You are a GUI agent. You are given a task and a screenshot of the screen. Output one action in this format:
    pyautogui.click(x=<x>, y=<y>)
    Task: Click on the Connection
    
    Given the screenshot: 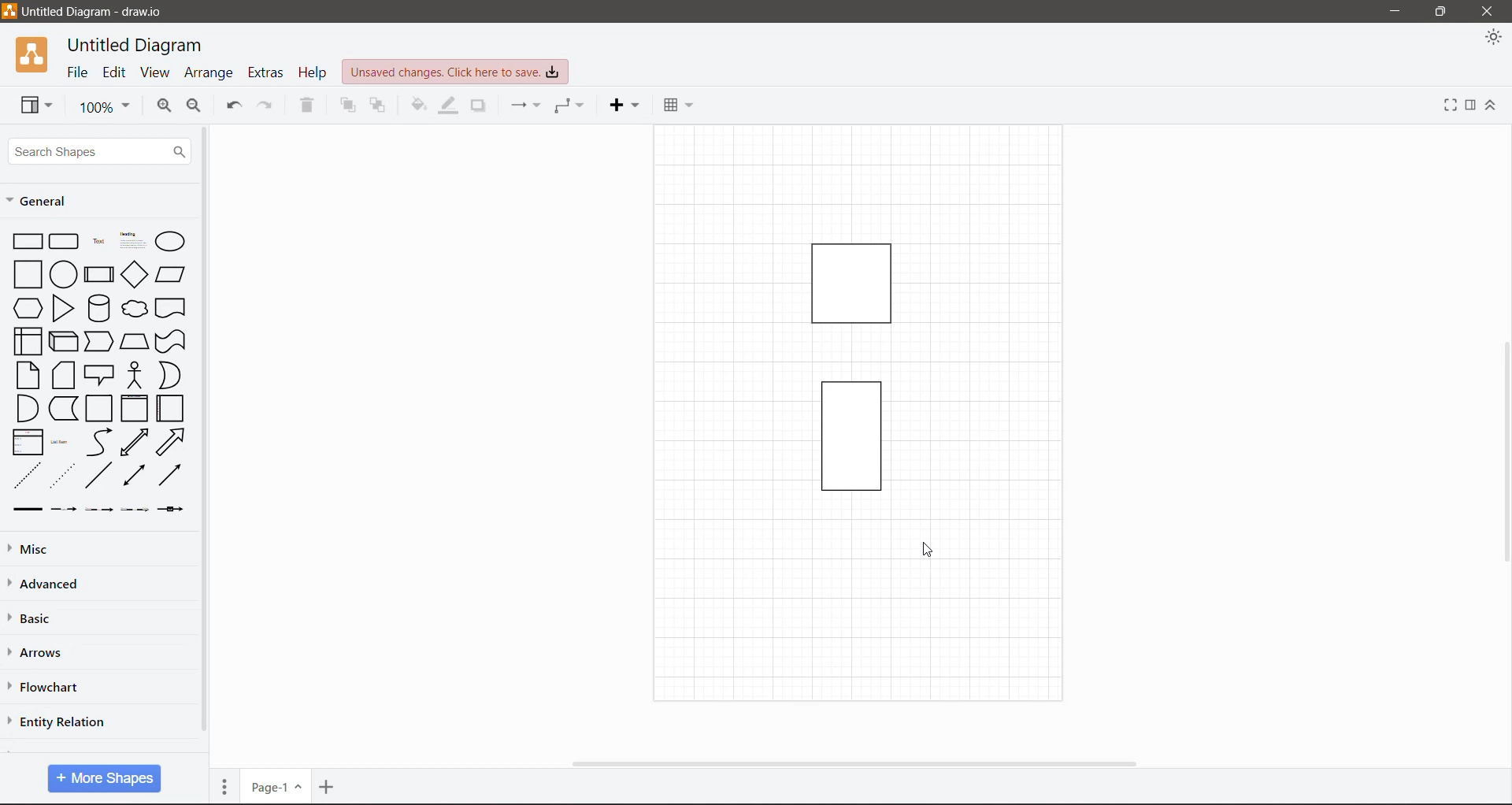 What is the action you would take?
    pyautogui.click(x=527, y=106)
    